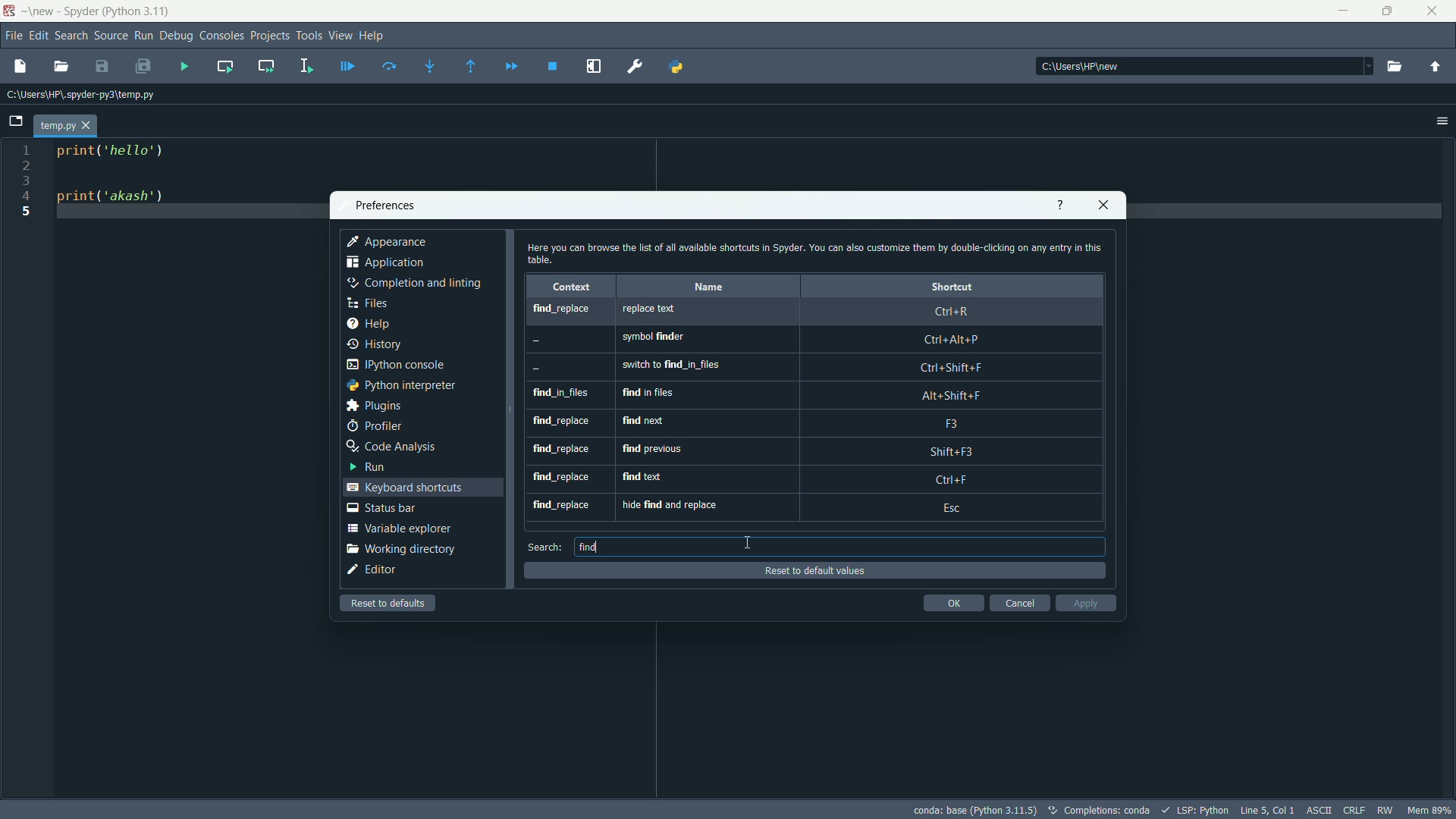 This screenshot has width=1456, height=819. What do you see at coordinates (389, 241) in the screenshot?
I see `appearance` at bounding box center [389, 241].